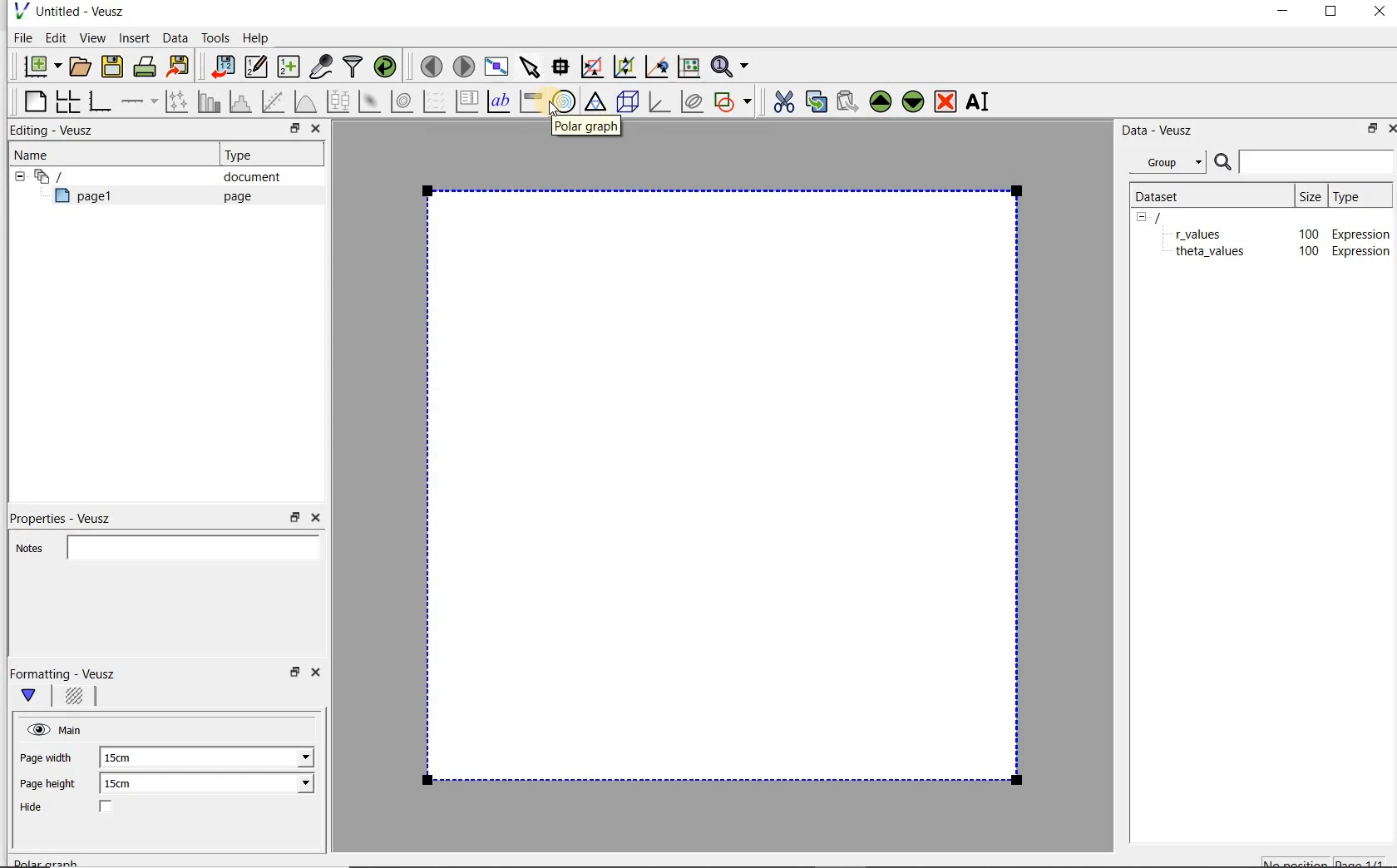 Image resolution: width=1397 pixels, height=868 pixels. Describe the element at coordinates (67, 10) in the screenshot. I see `Untitled - Veusz` at that location.